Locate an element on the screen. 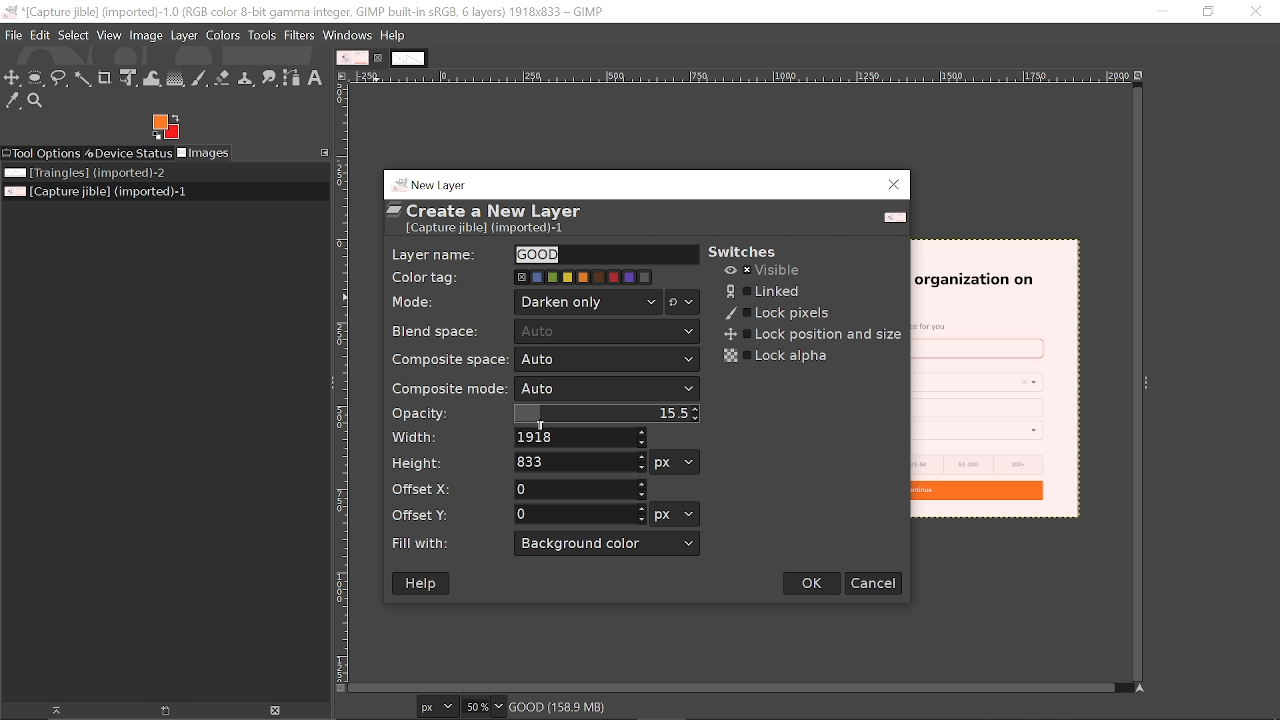  Opacity is located at coordinates (604, 415).